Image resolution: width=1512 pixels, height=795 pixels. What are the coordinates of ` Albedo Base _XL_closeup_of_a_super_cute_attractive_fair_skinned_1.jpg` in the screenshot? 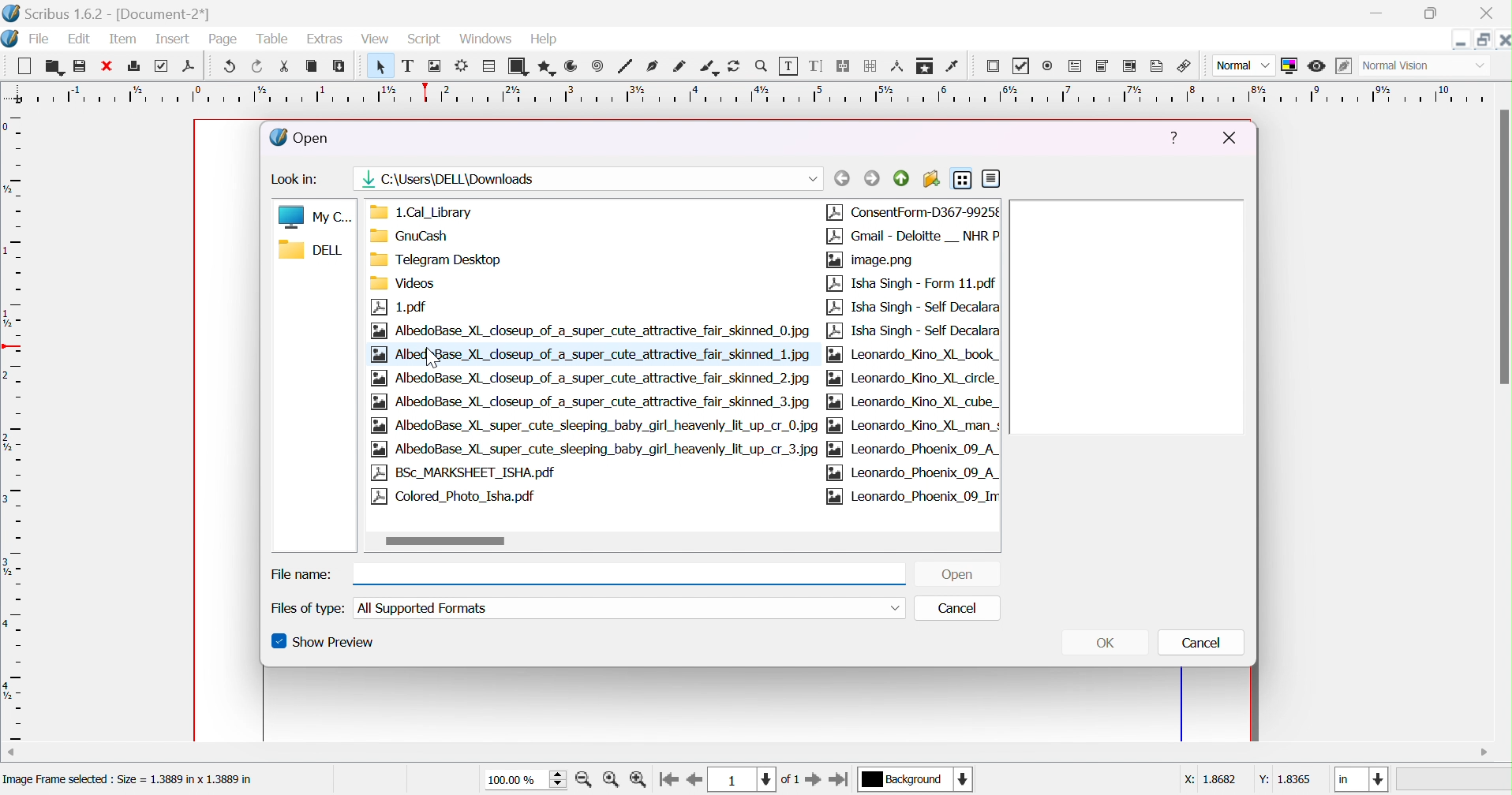 It's located at (585, 356).